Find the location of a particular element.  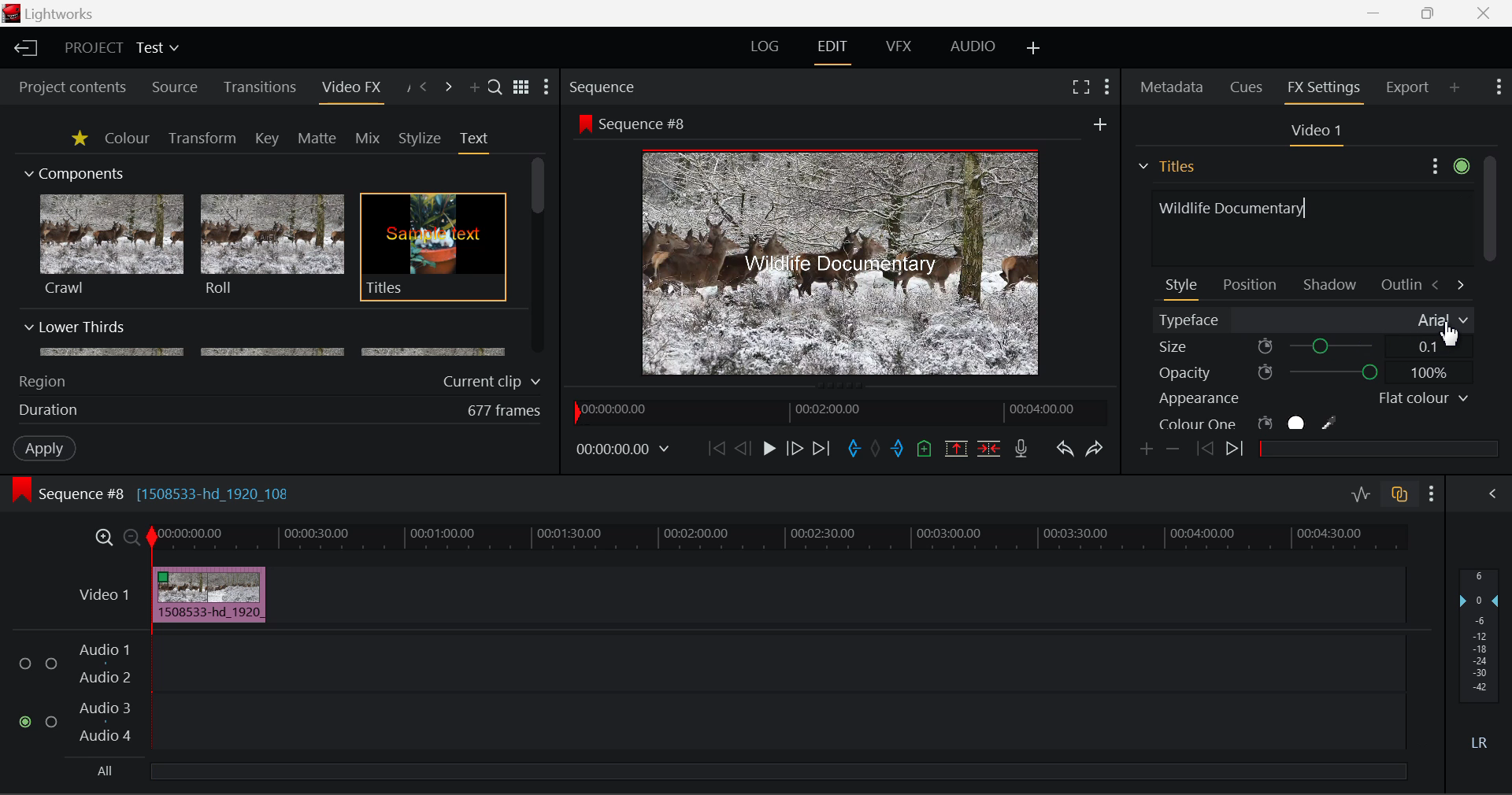

Style Tab Open is located at coordinates (1183, 288).